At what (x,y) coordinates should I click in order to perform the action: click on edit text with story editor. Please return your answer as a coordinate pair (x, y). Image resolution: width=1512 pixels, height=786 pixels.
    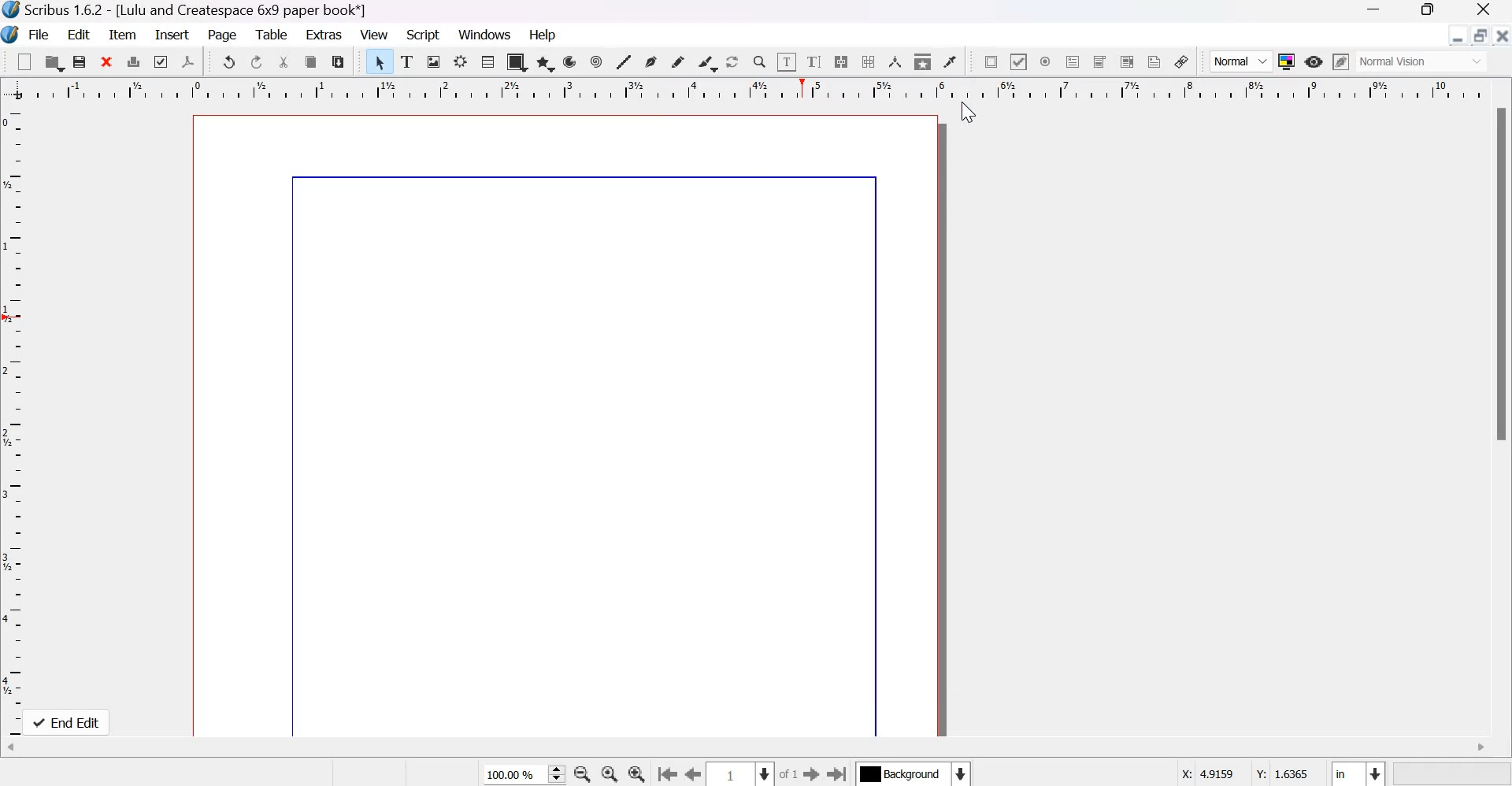
    Looking at the image, I should click on (814, 62).